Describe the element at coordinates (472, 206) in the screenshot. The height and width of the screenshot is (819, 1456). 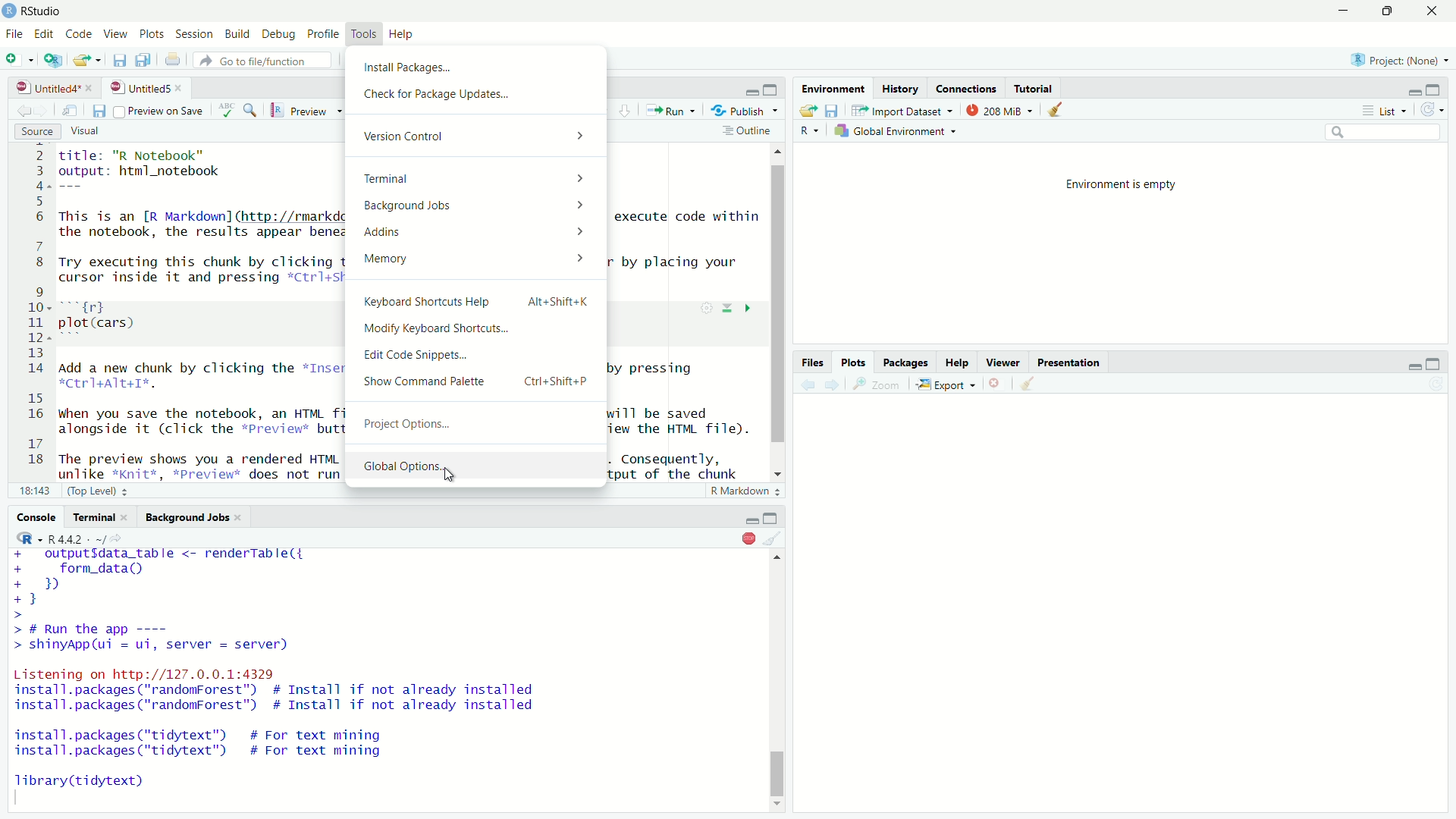
I see `Background Jobs ` at that location.